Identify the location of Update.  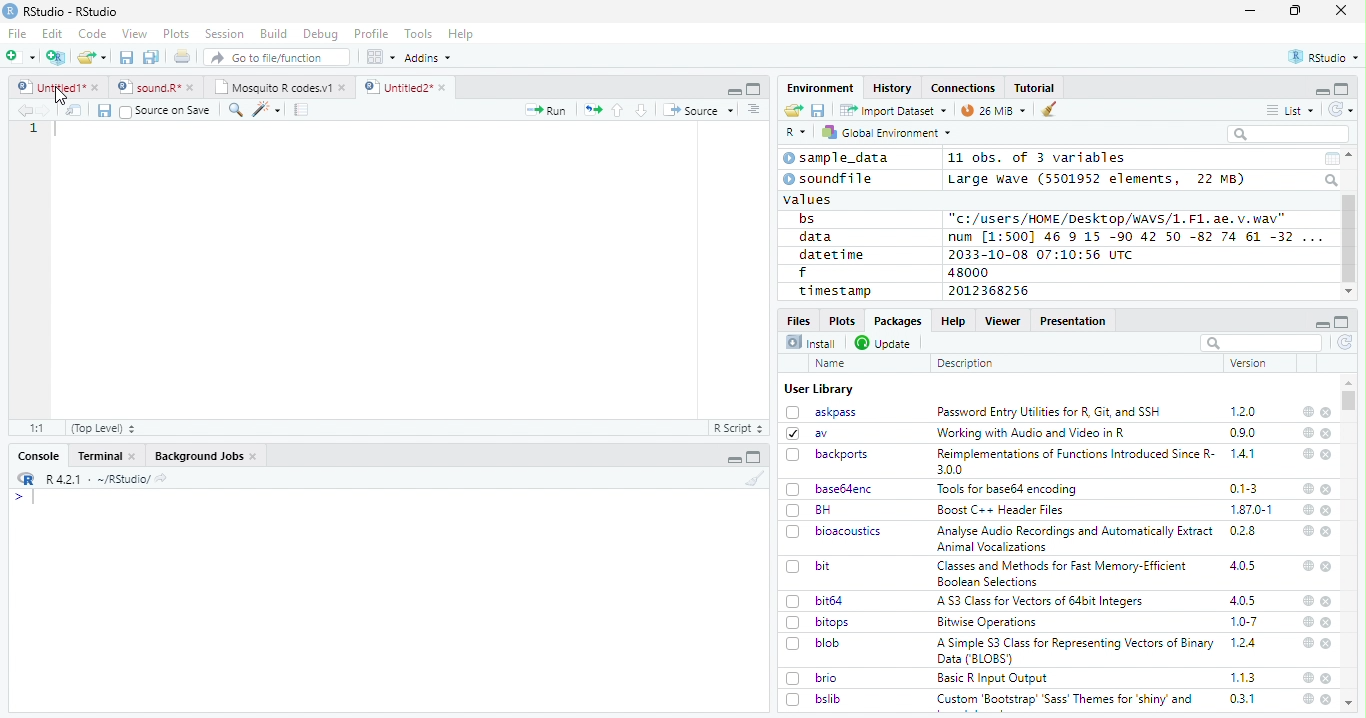
(885, 343).